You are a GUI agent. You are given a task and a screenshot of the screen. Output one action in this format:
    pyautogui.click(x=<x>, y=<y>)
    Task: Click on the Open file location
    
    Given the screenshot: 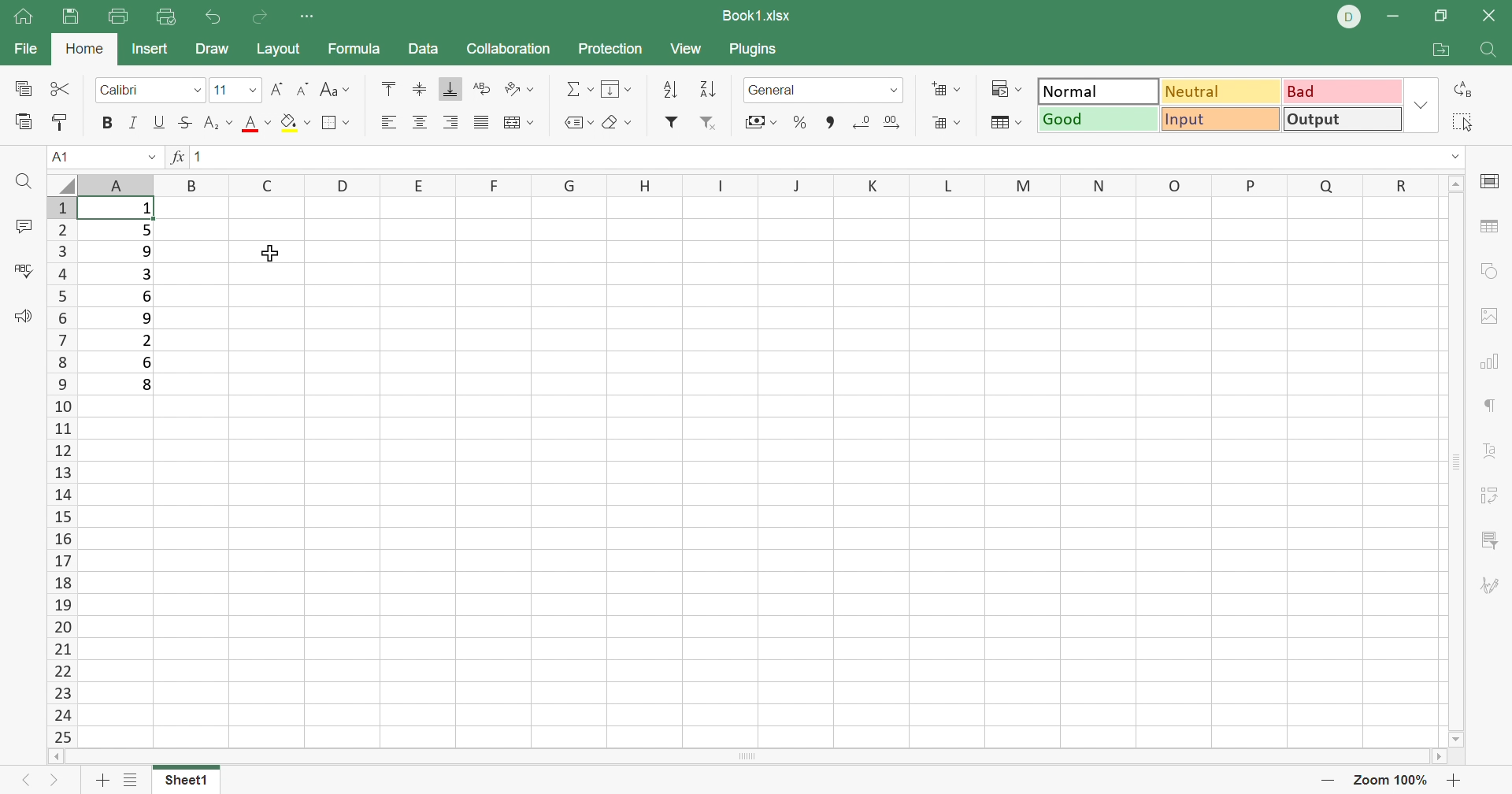 What is the action you would take?
    pyautogui.click(x=1444, y=50)
    